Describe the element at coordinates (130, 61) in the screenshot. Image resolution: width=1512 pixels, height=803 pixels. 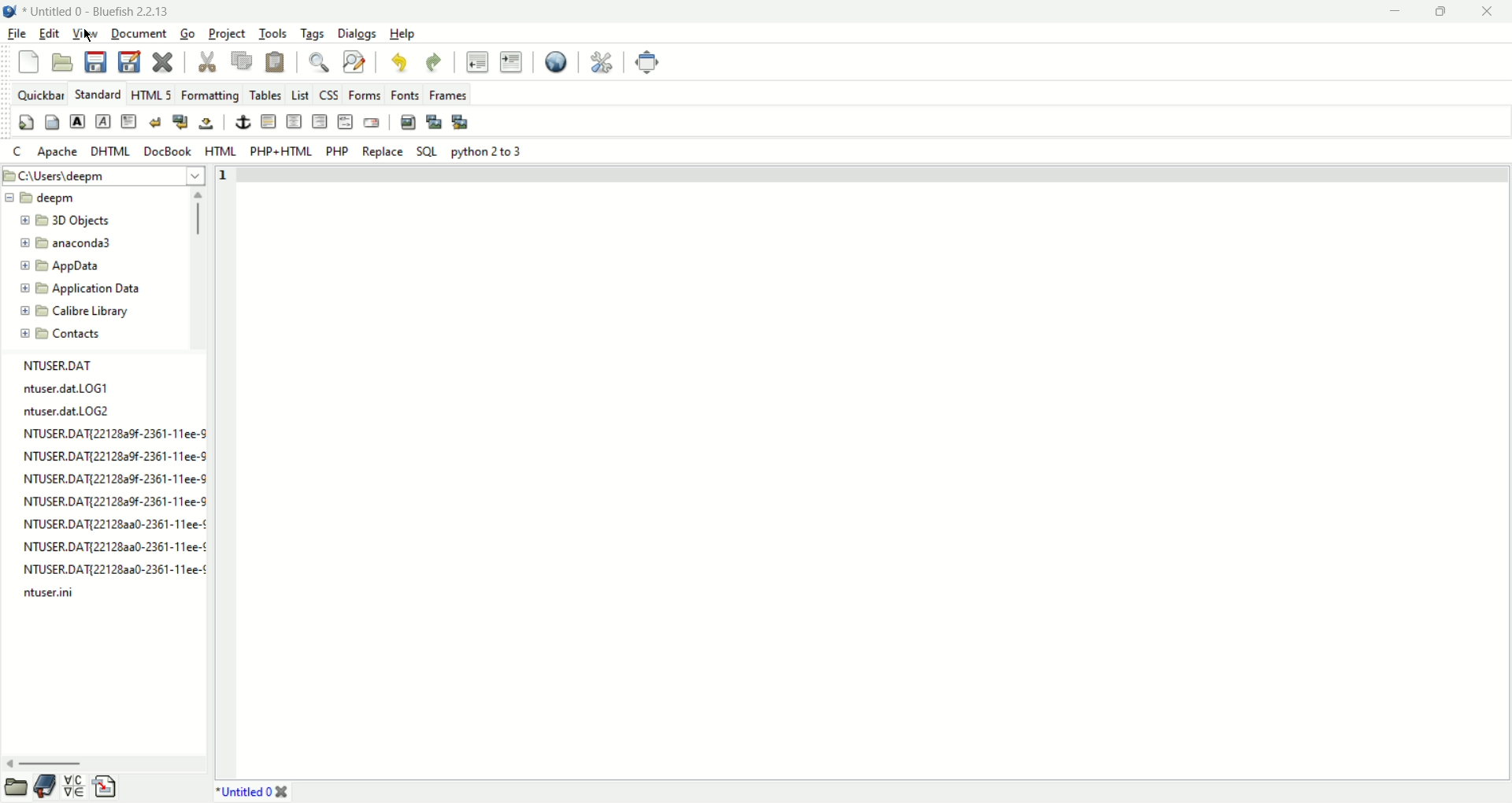
I see `save as` at that location.